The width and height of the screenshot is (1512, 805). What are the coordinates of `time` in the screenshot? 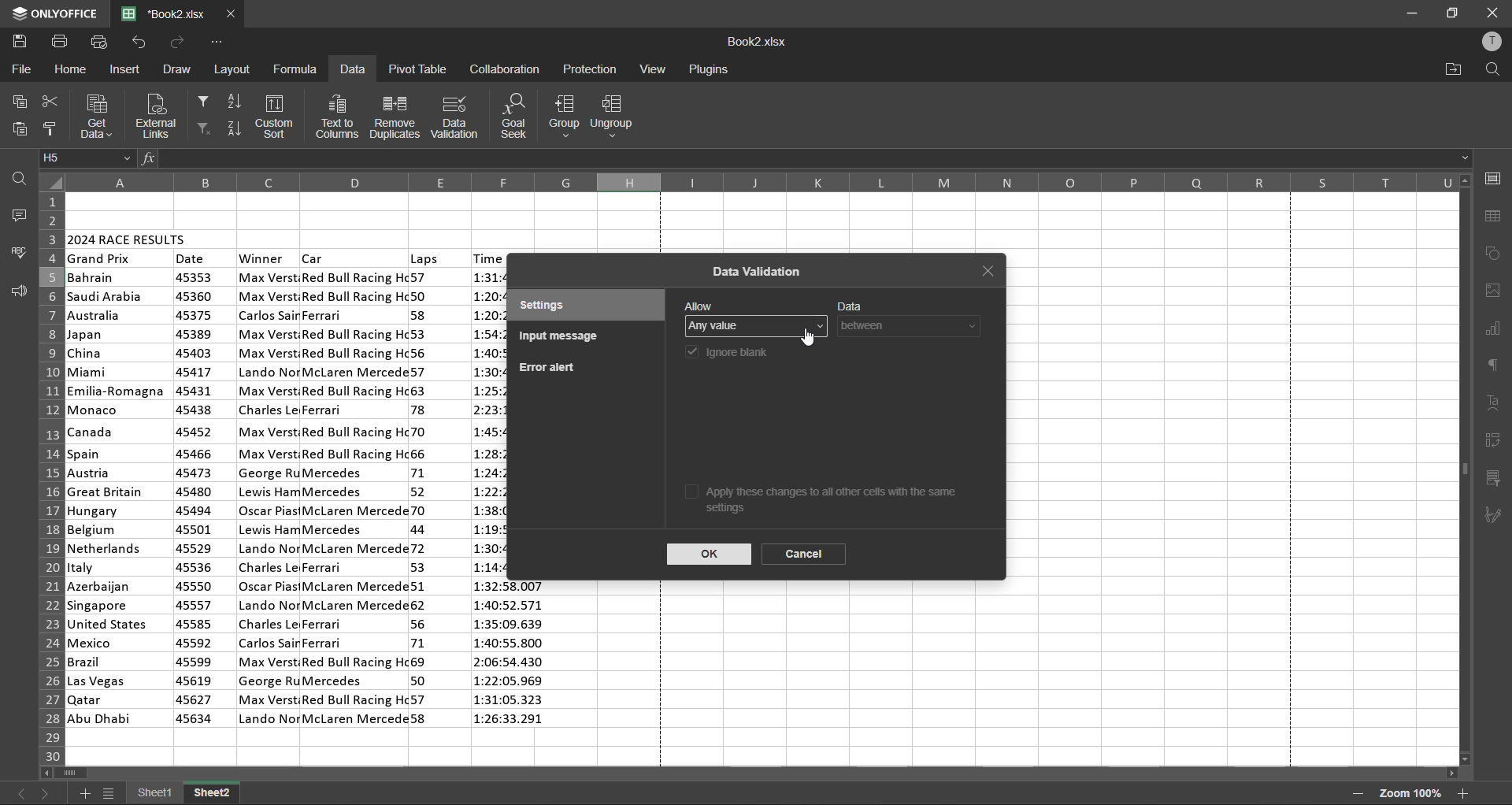 It's located at (487, 258).